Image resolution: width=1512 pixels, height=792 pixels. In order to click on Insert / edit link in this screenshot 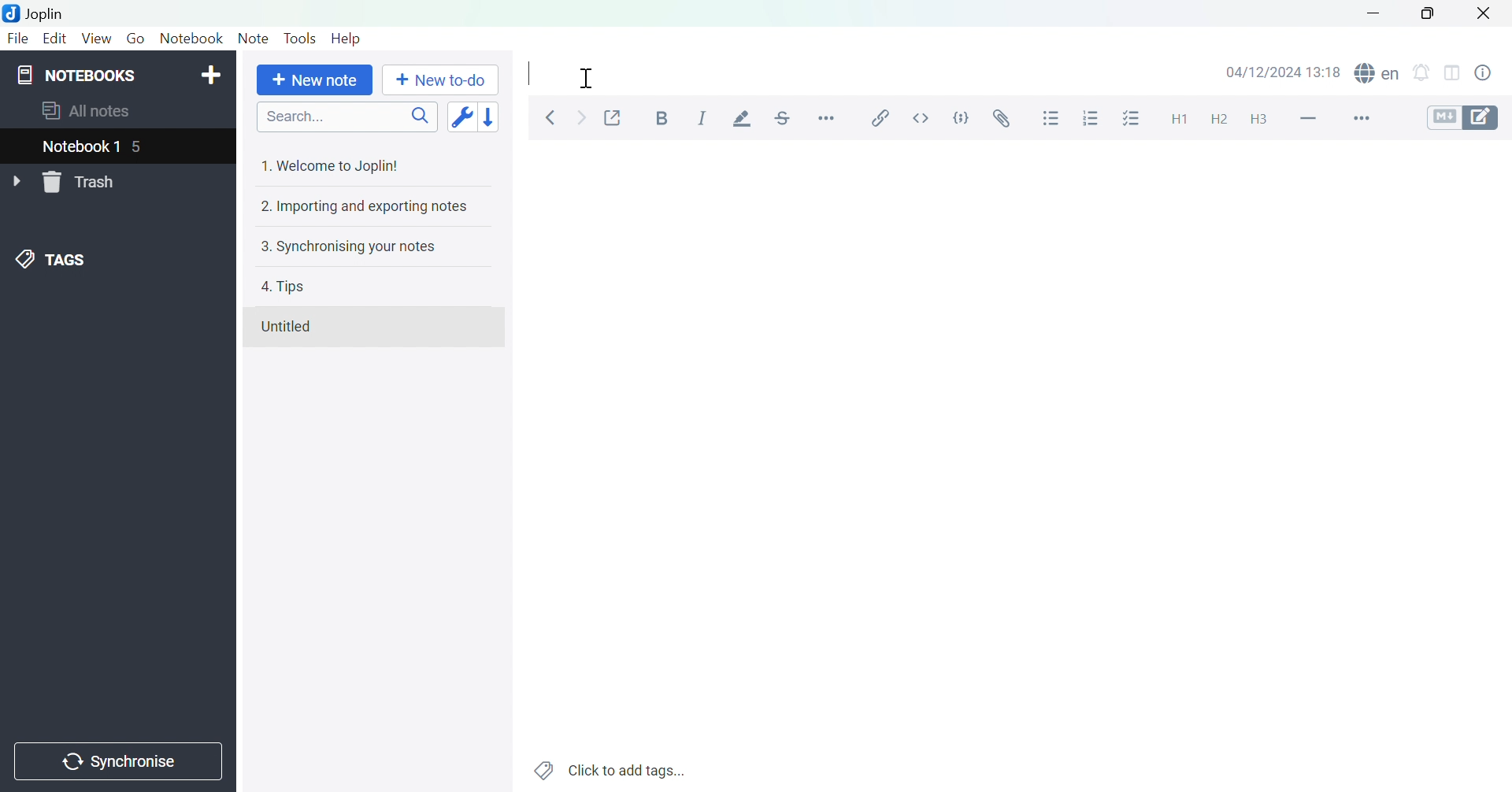, I will do `click(884, 119)`.